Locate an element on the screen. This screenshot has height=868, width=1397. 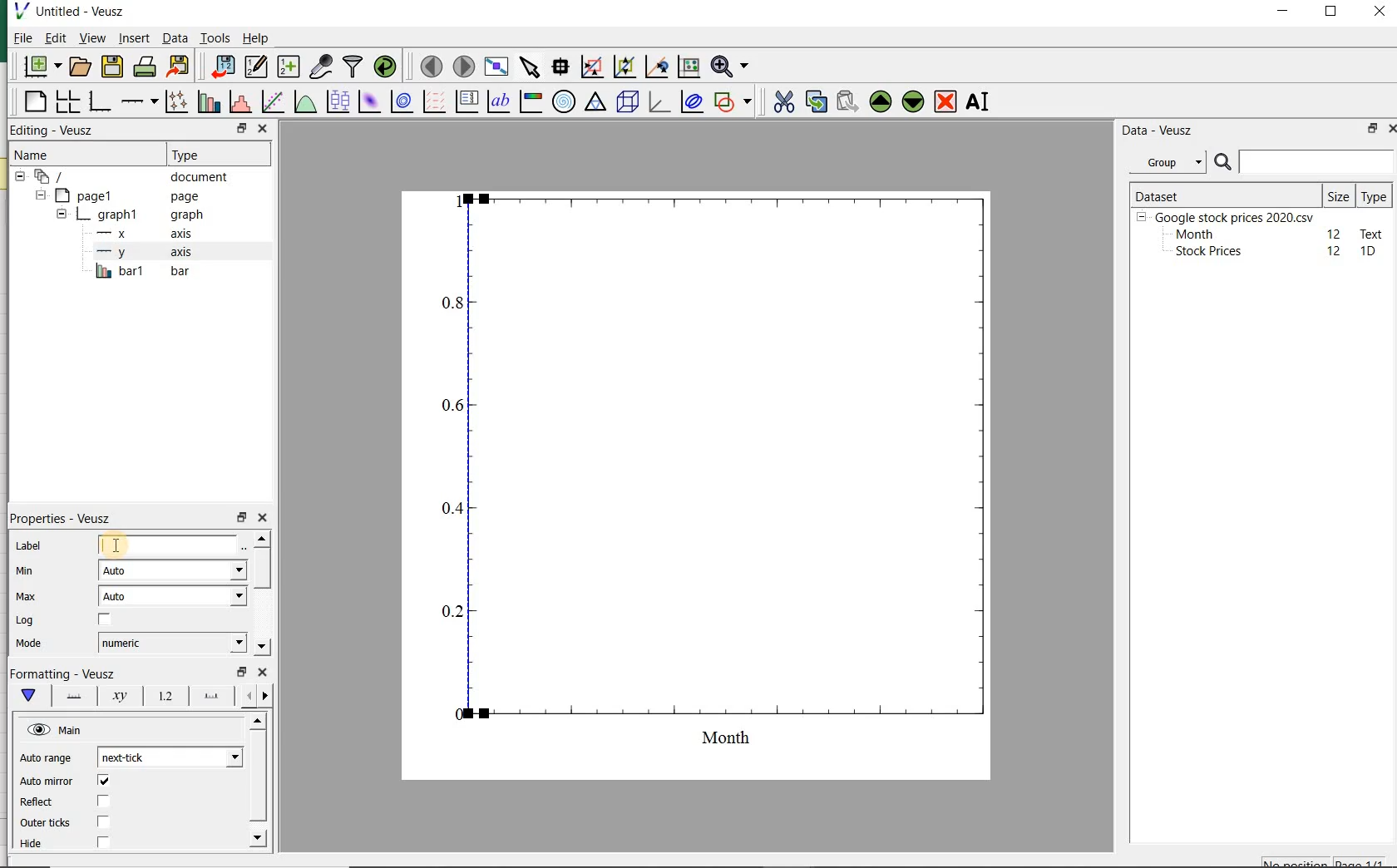
main formatting is located at coordinates (25, 695).